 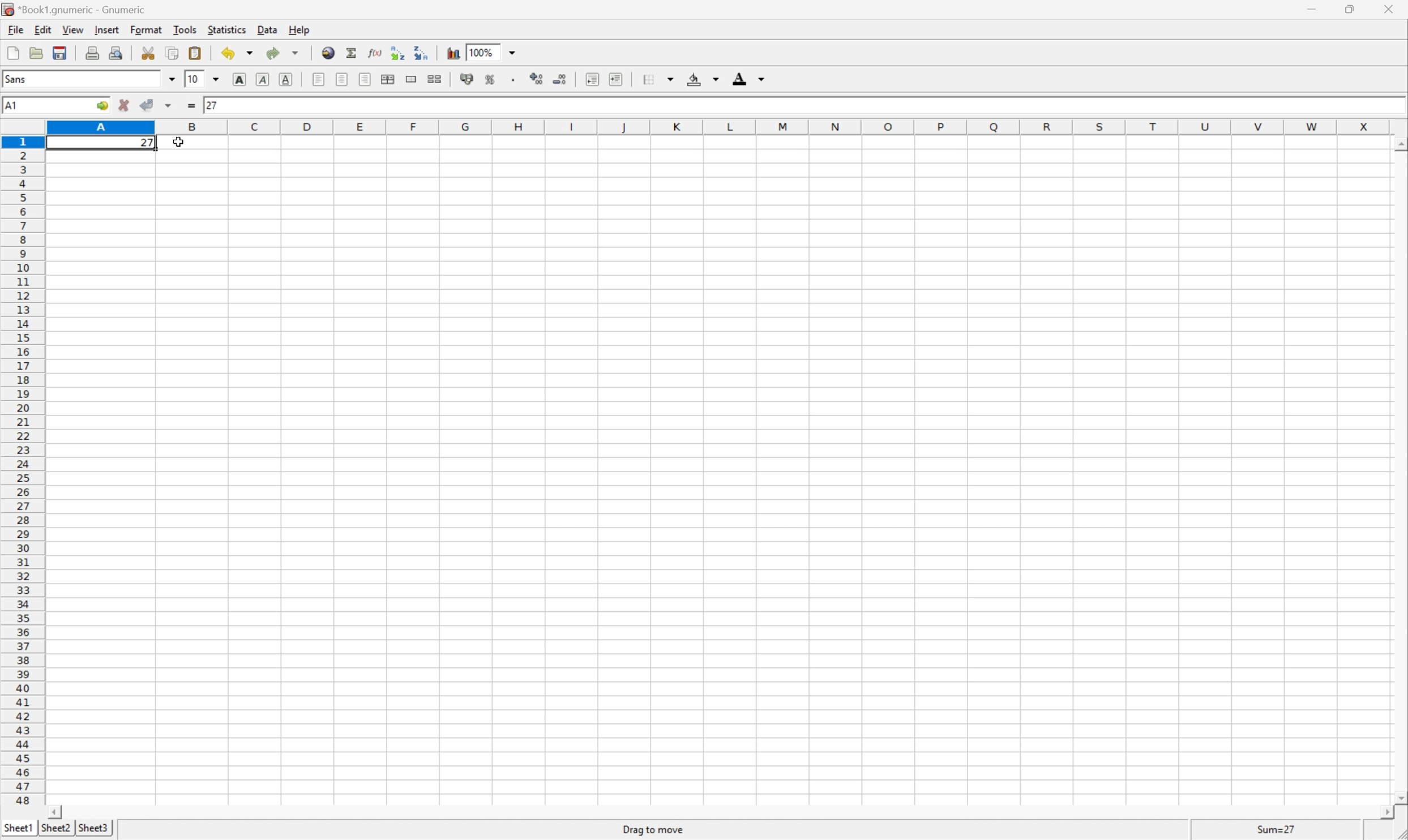 I want to click on Align Right, so click(x=365, y=79).